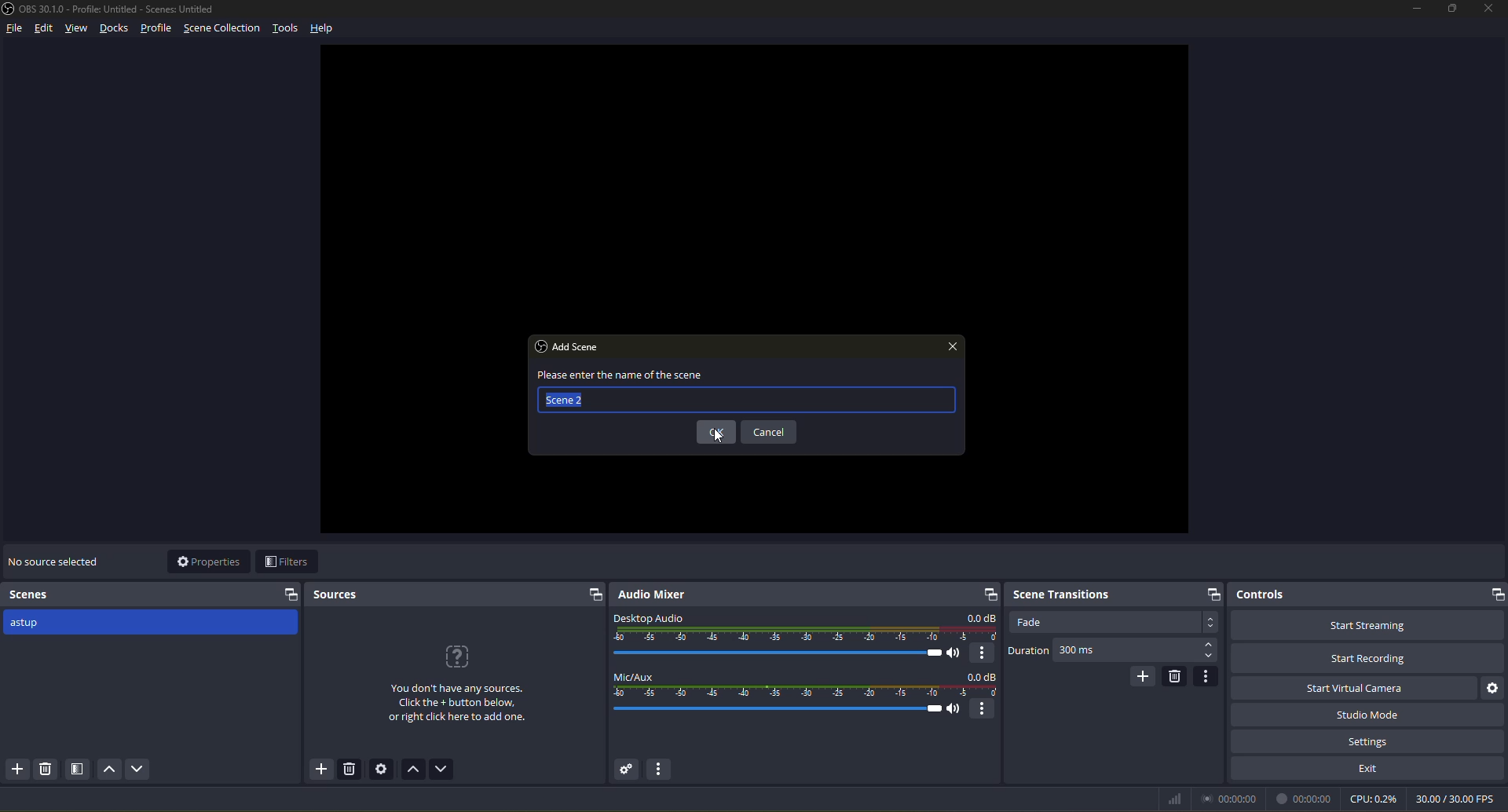 Image resolution: width=1508 pixels, height=812 pixels. I want to click on remove selected source, so click(350, 769).